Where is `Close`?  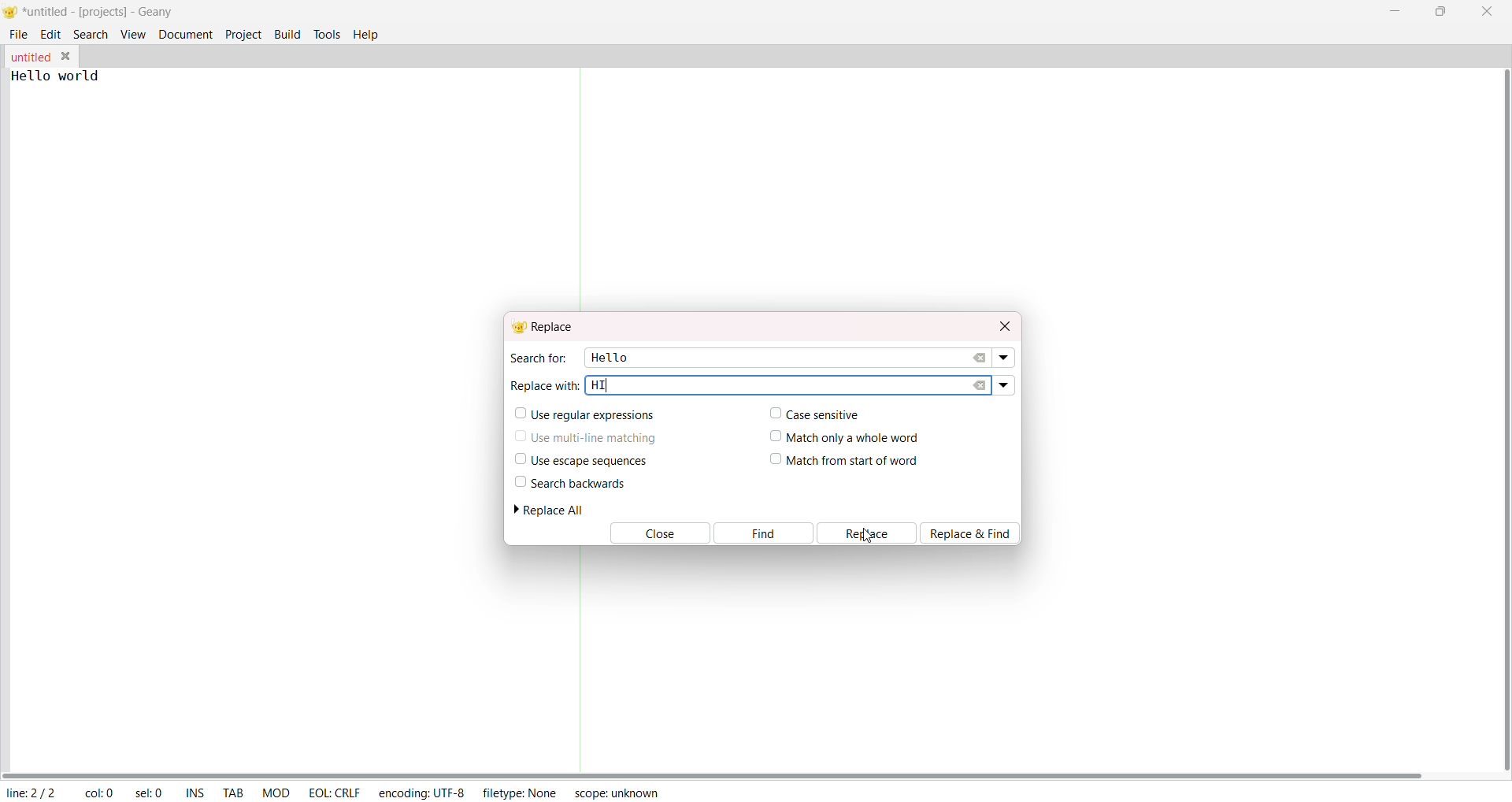 Close is located at coordinates (658, 534).